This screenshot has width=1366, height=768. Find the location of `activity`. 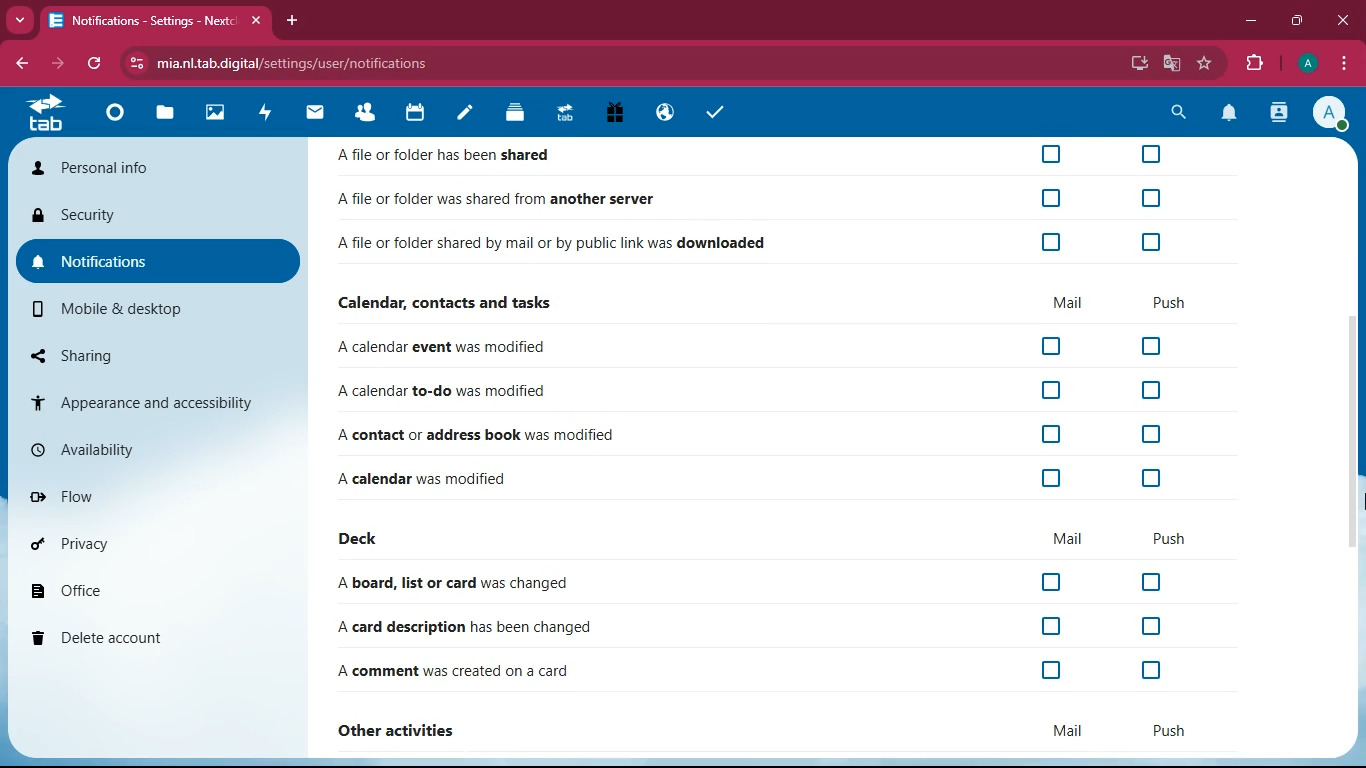

activity is located at coordinates (268, 115).